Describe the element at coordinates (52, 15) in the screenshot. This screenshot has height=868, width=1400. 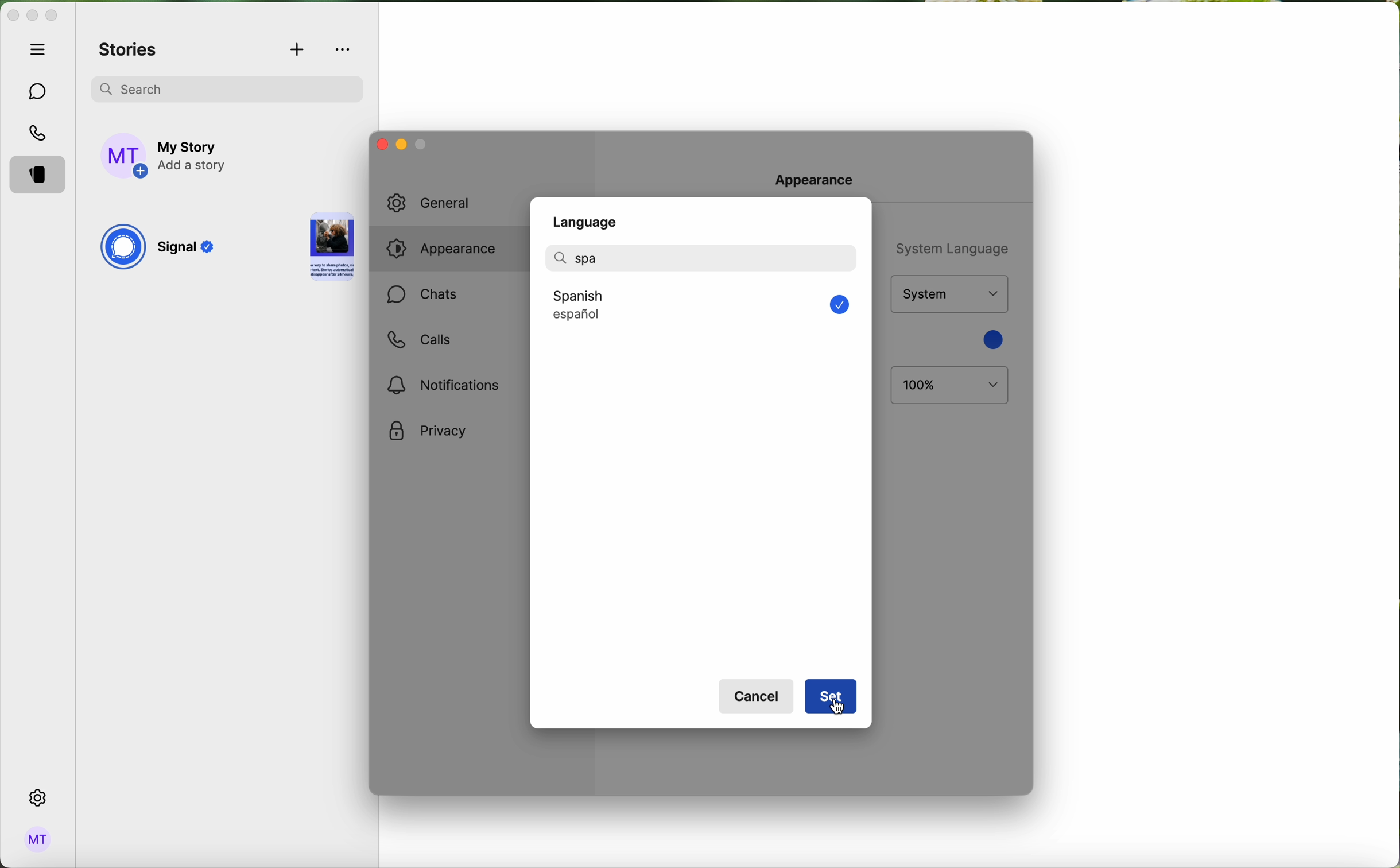
I see `maximize` at that location.